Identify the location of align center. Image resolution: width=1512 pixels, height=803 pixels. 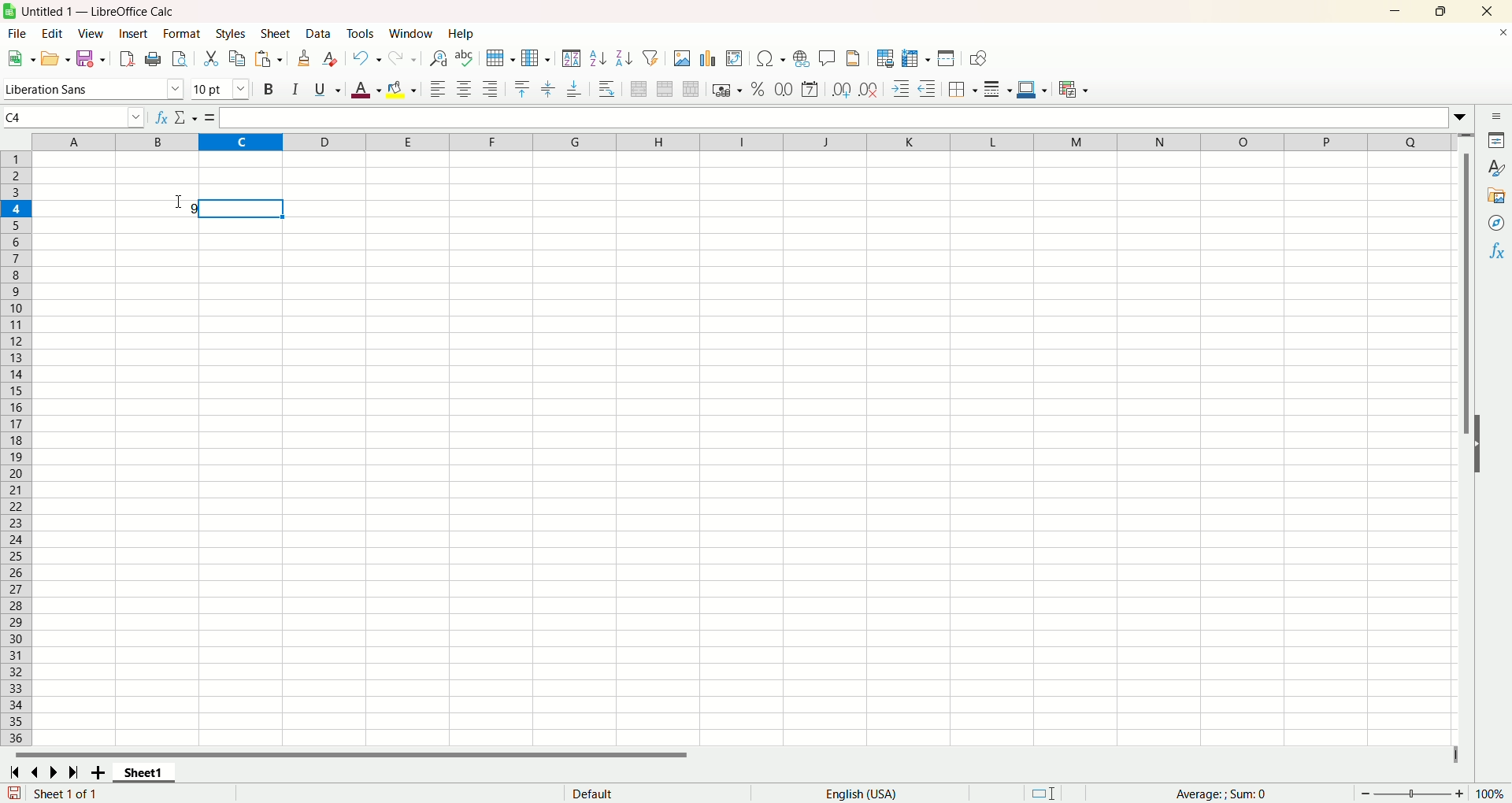
(467, 90).